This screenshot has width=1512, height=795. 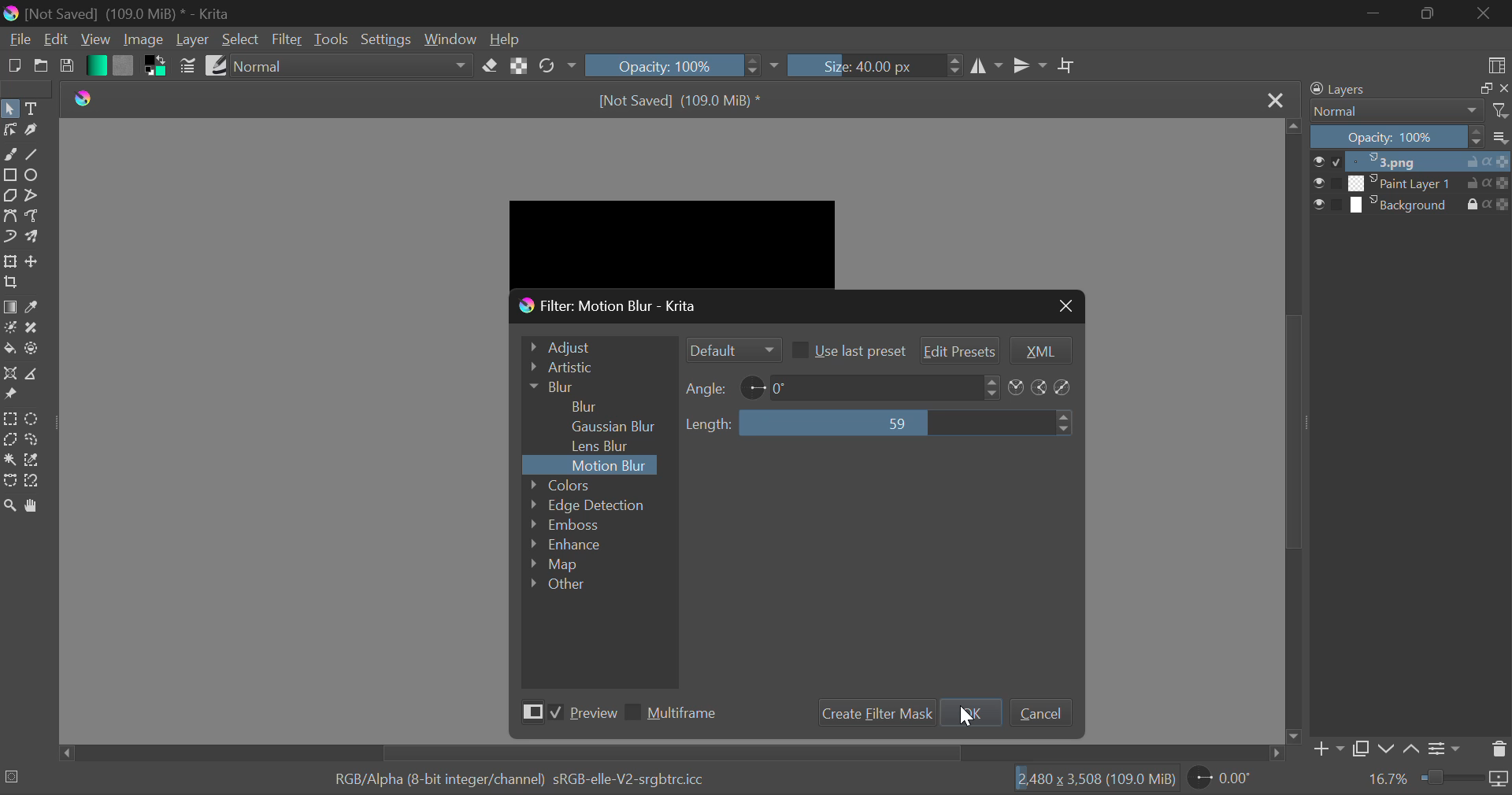 I want to click on Use last preset, so click(x=847, y=349).